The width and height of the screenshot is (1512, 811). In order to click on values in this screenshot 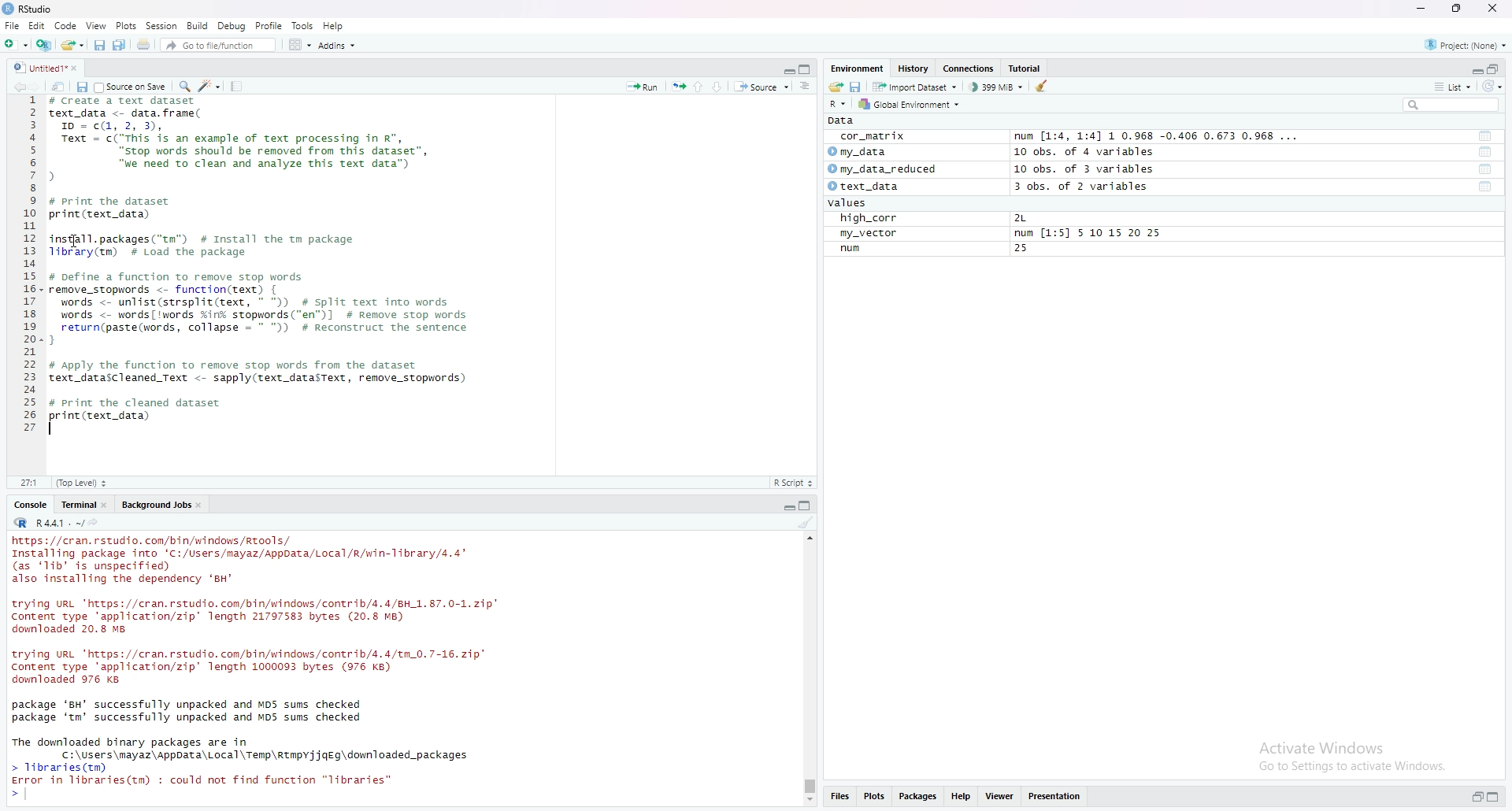, I will do `click(843, 204)`.